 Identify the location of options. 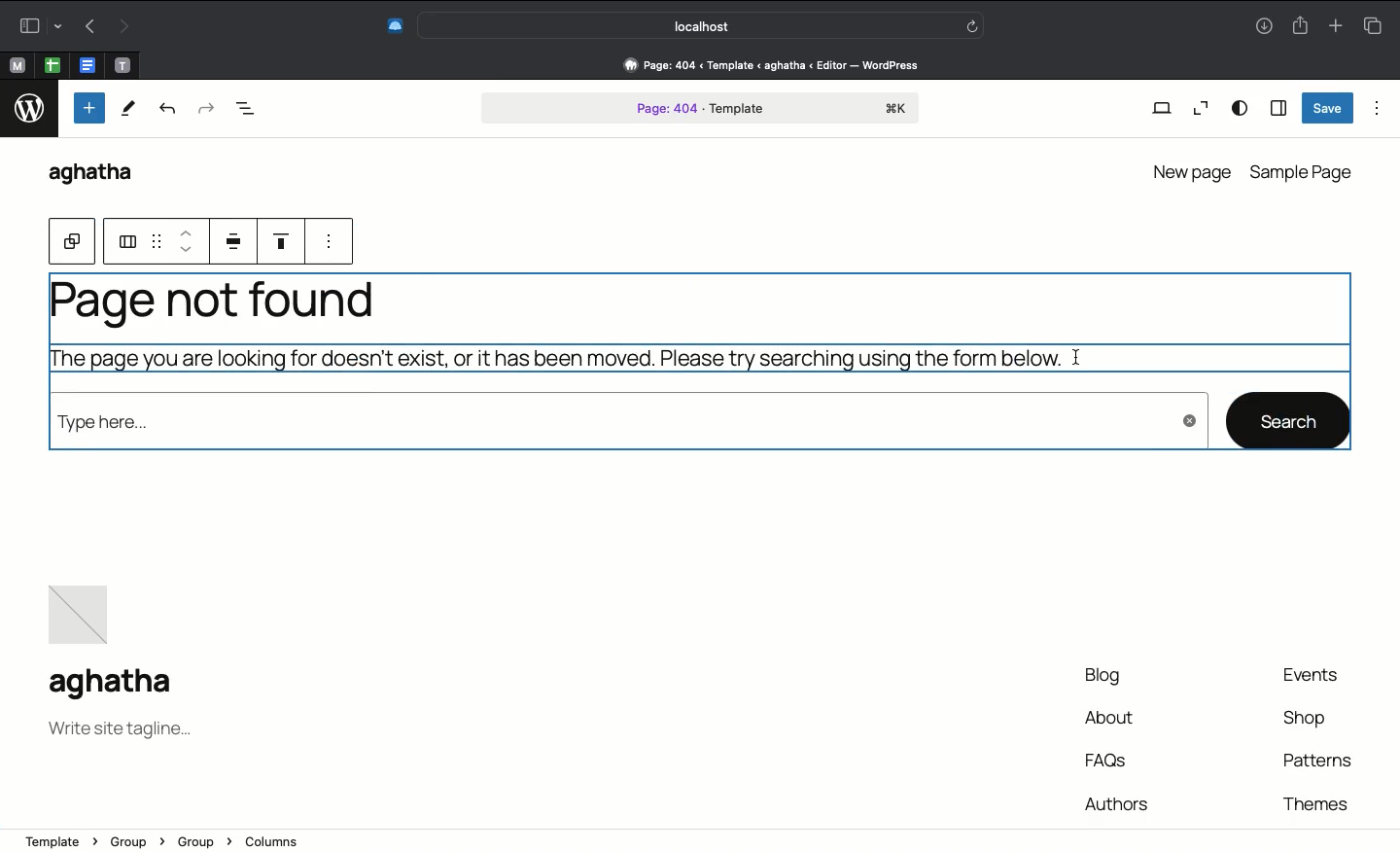
(333, 242).